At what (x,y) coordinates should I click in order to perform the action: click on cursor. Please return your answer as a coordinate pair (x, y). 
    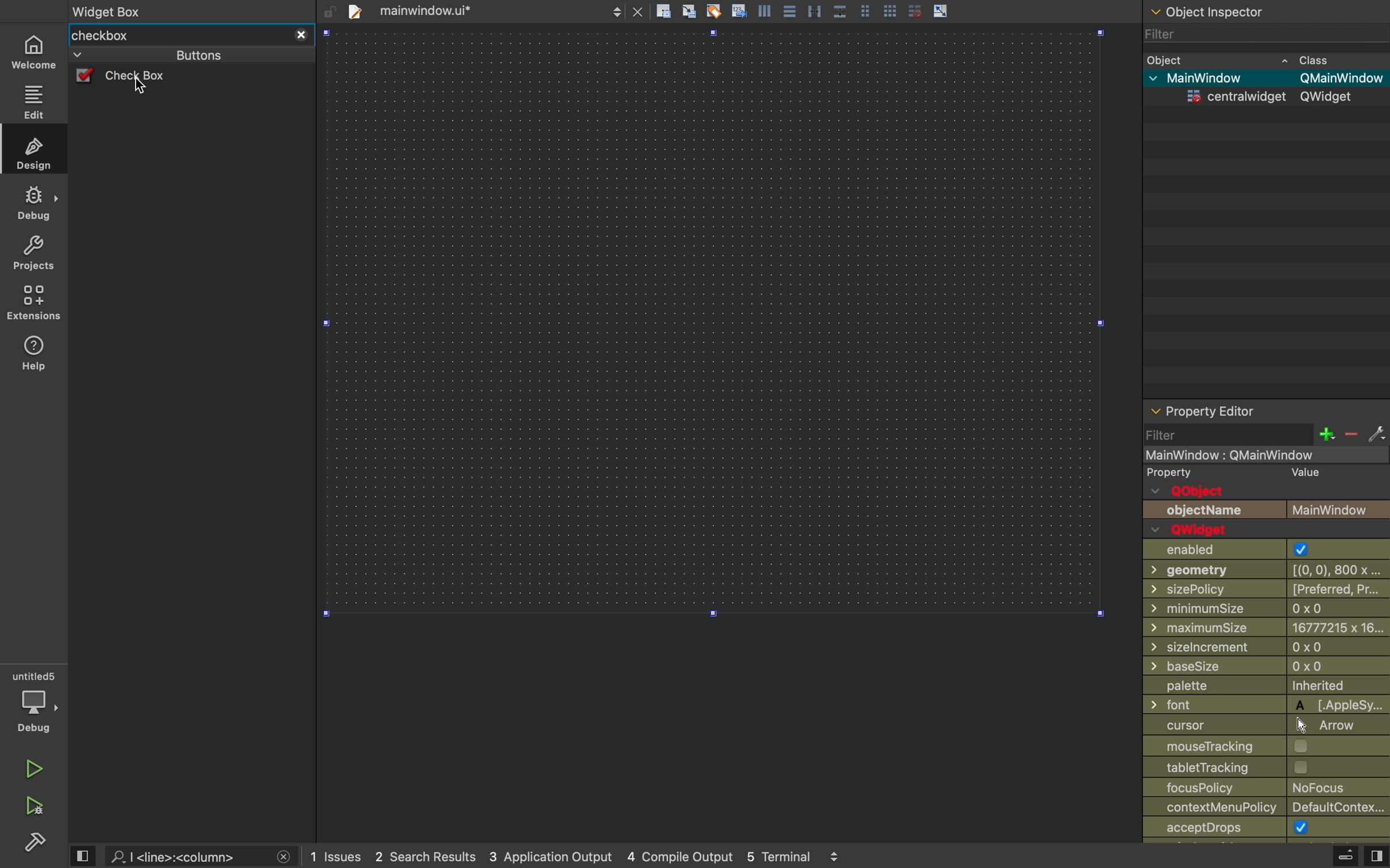
    Looking at the image, I should click on (1261, 724).